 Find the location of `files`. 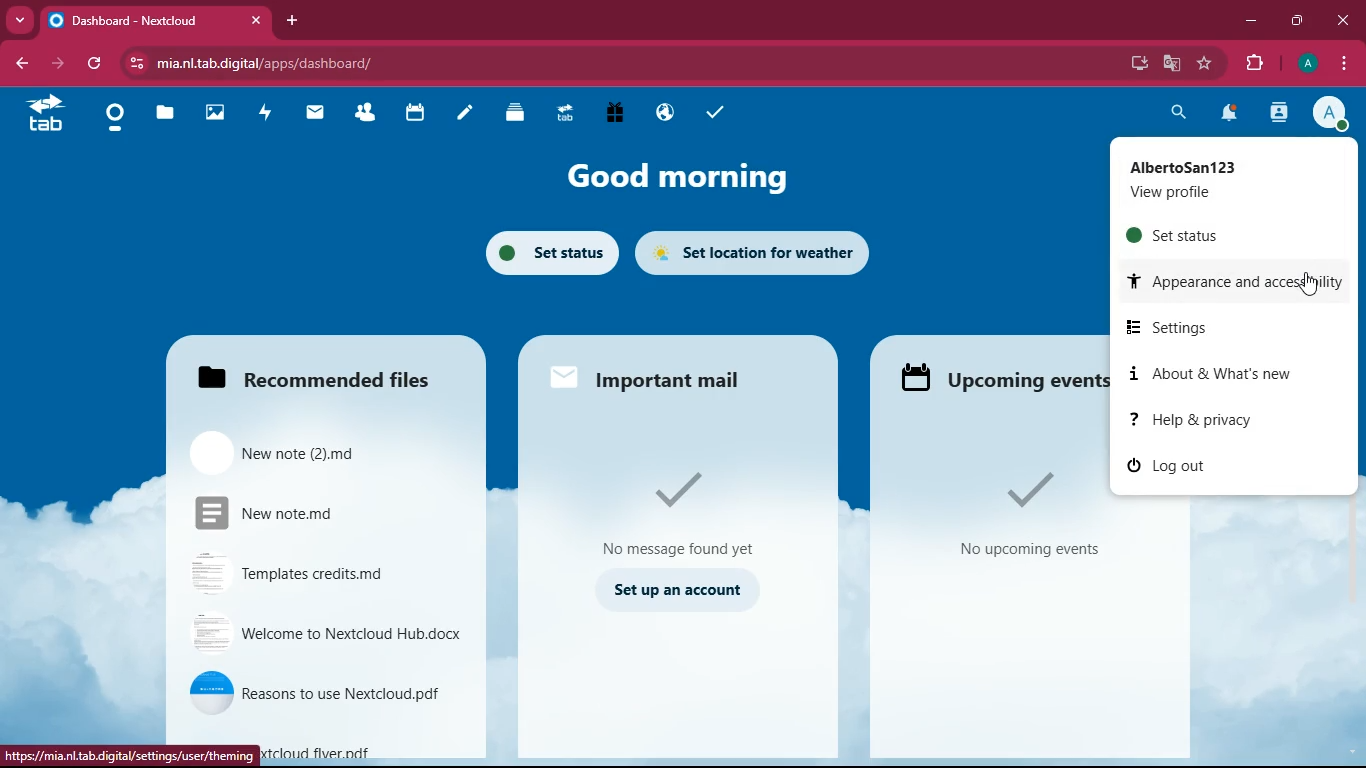

files is located at coordinates (322, 375).